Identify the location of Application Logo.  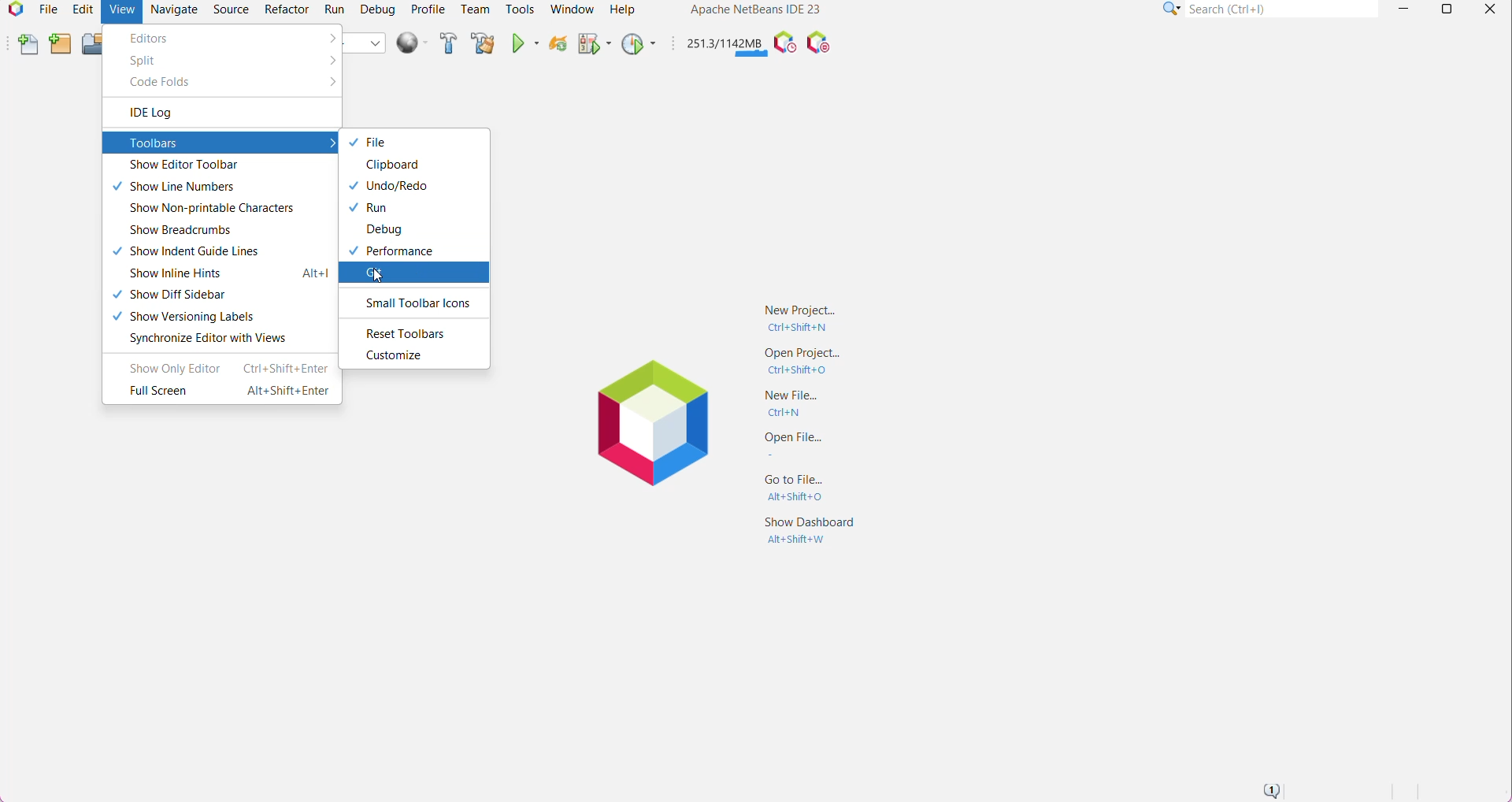
(647, 421).